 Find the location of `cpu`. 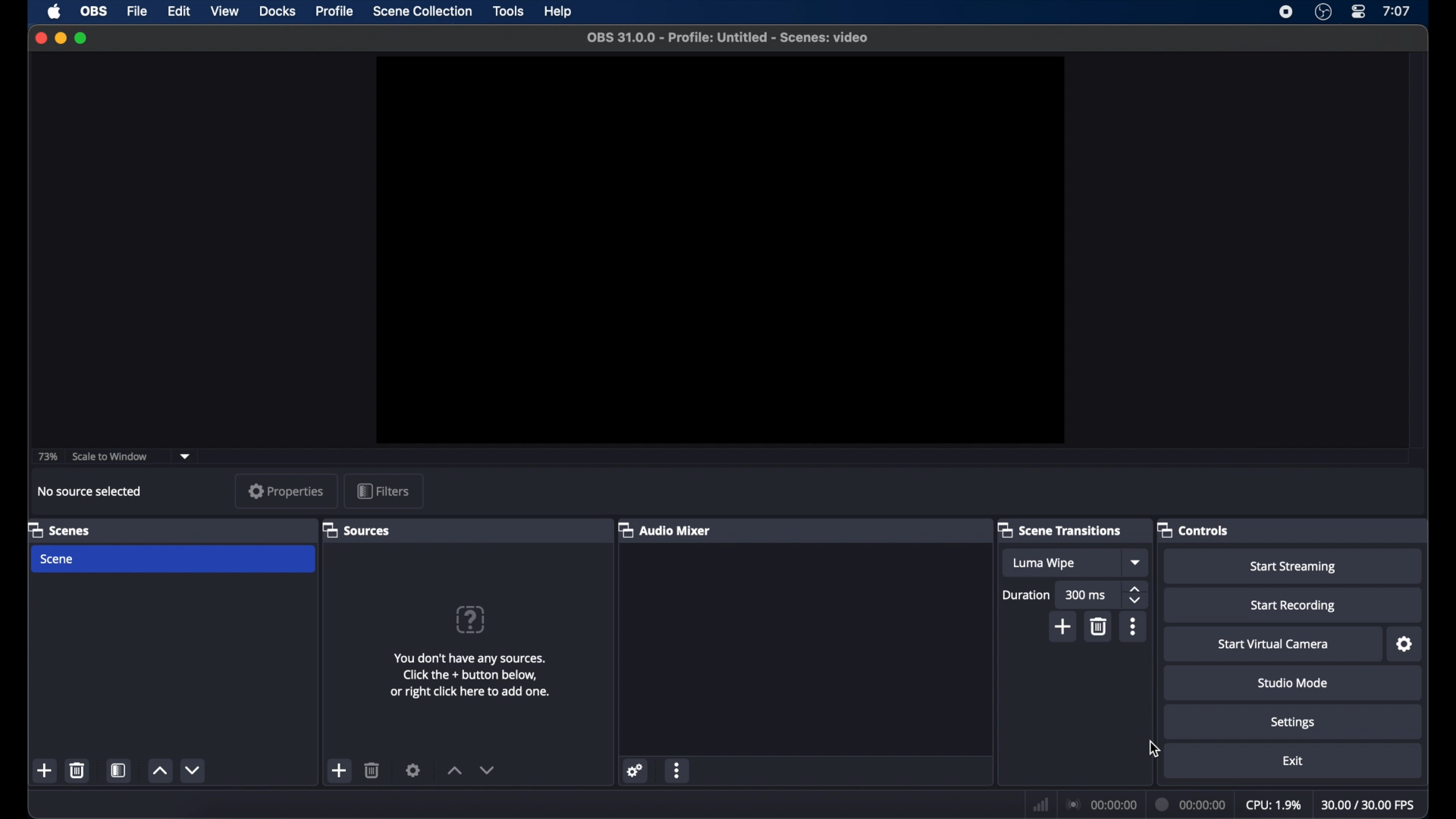

cpu is located at coordinates (1274, 805).